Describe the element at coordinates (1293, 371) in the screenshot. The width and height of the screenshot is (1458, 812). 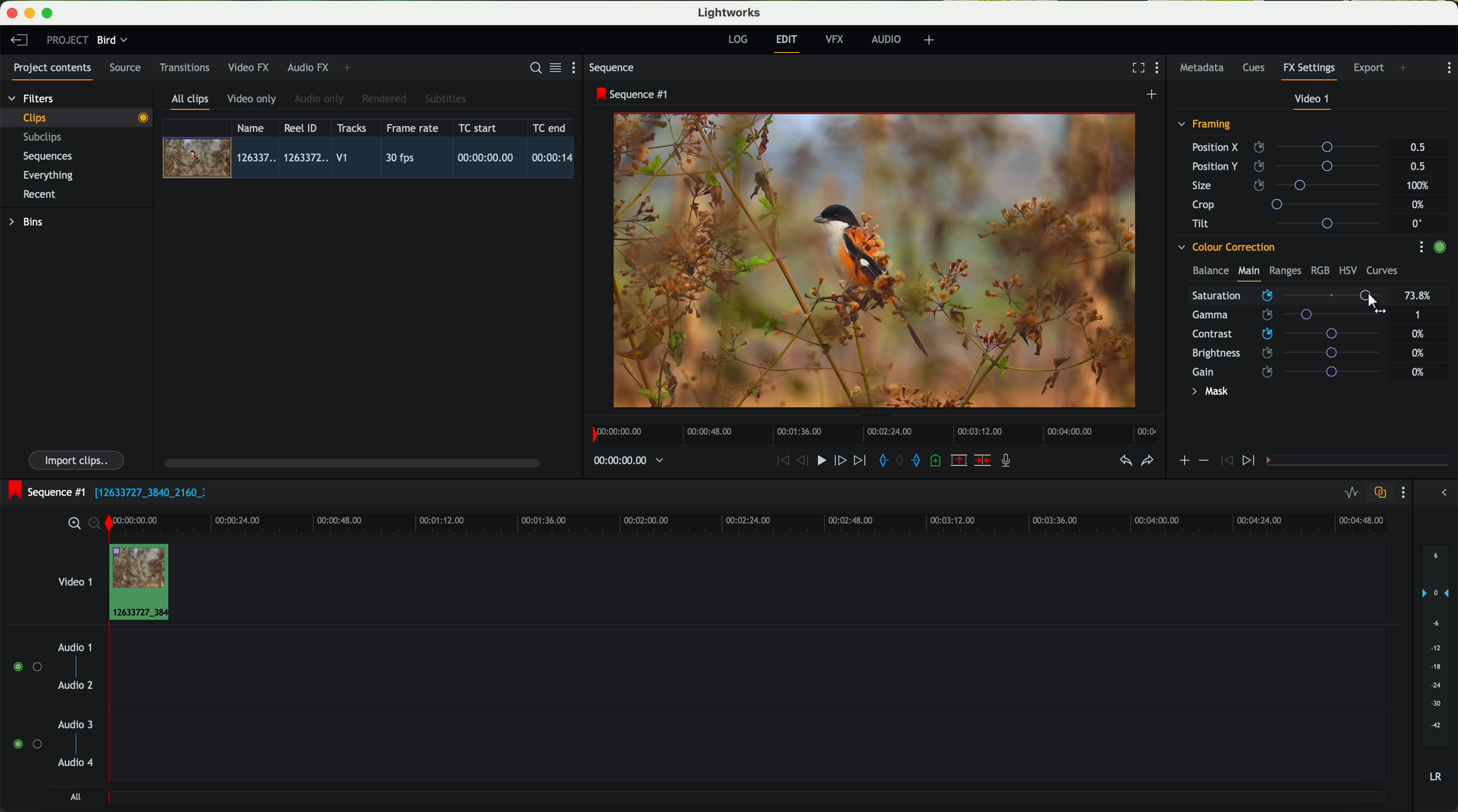
I see `gain` at that location.